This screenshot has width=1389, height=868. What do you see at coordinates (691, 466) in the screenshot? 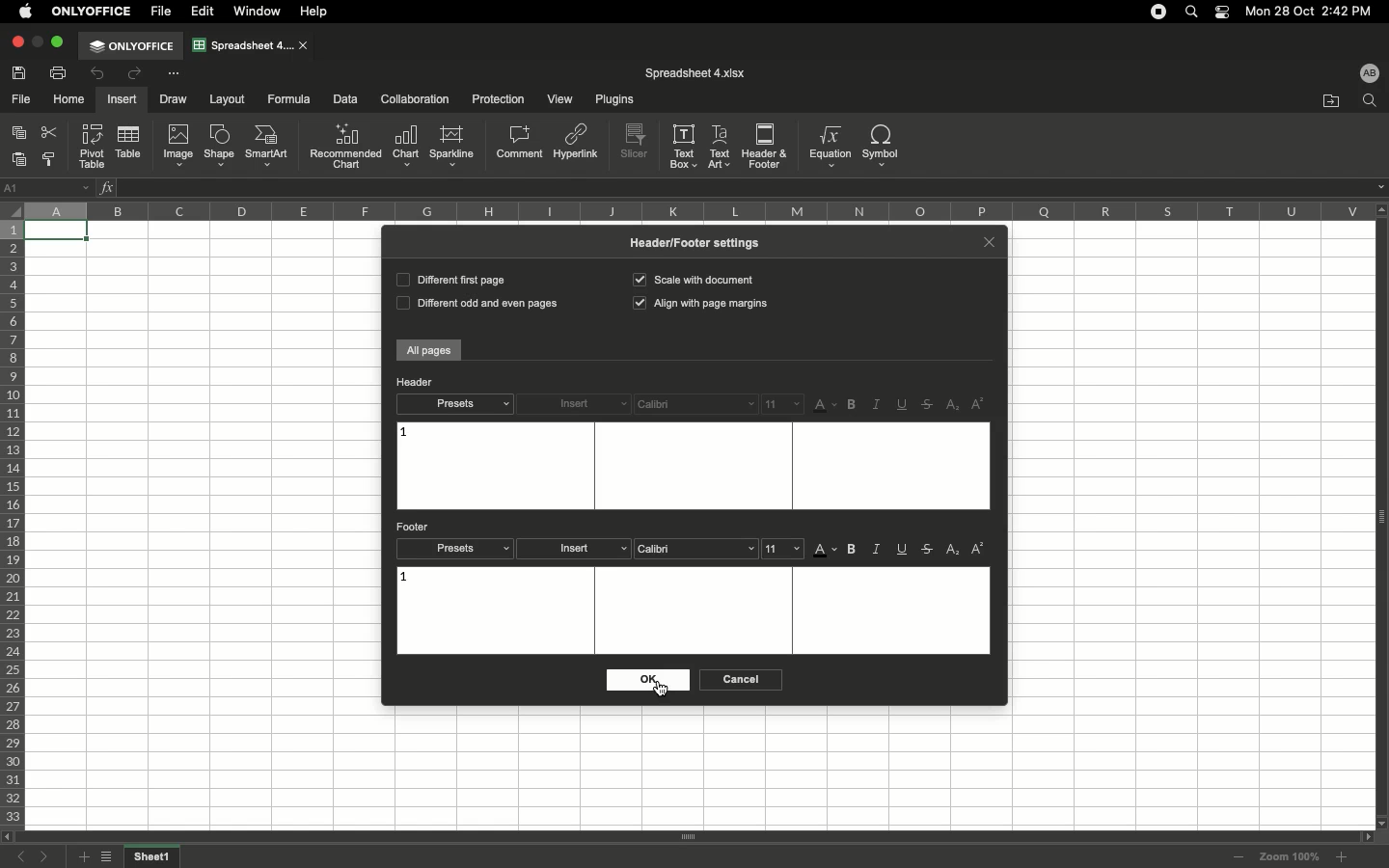
I see `Text box` at bounding box center [691, 466].